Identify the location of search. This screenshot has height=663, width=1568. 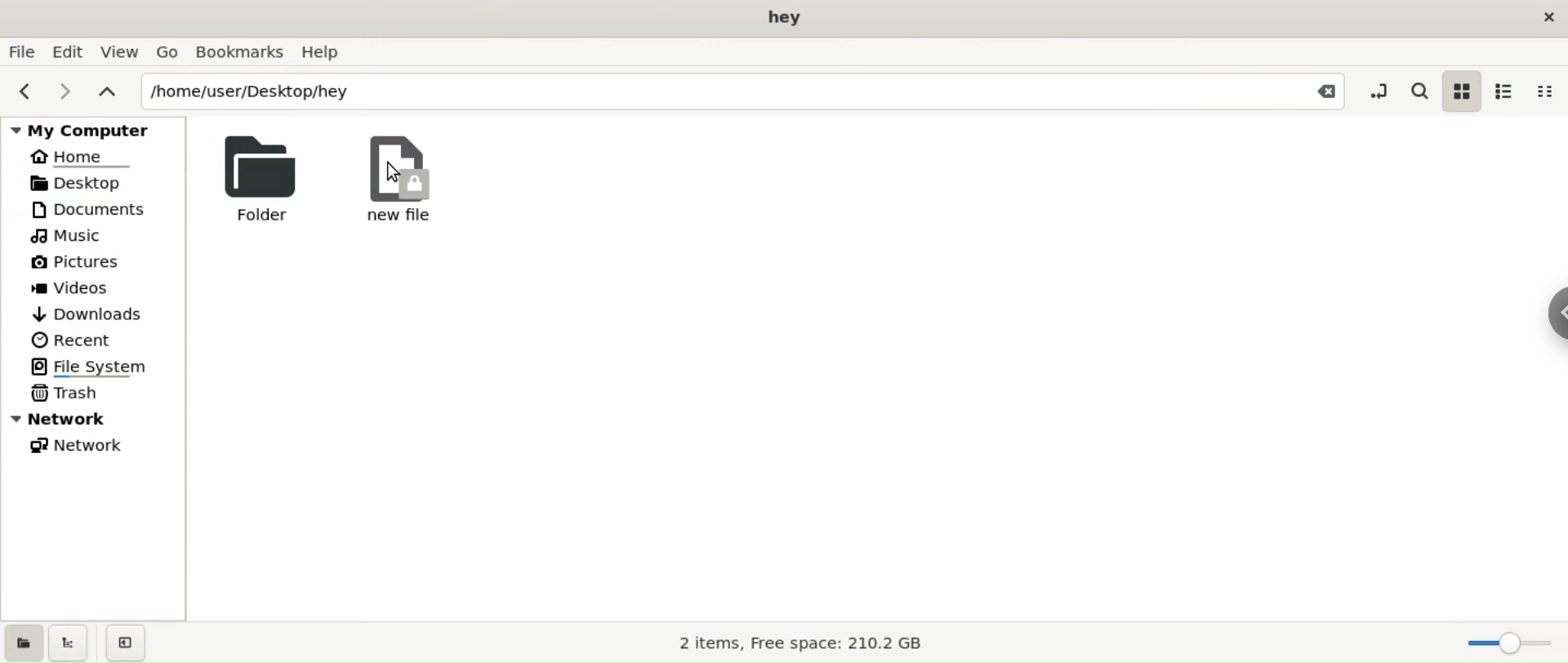
(1419, 89).